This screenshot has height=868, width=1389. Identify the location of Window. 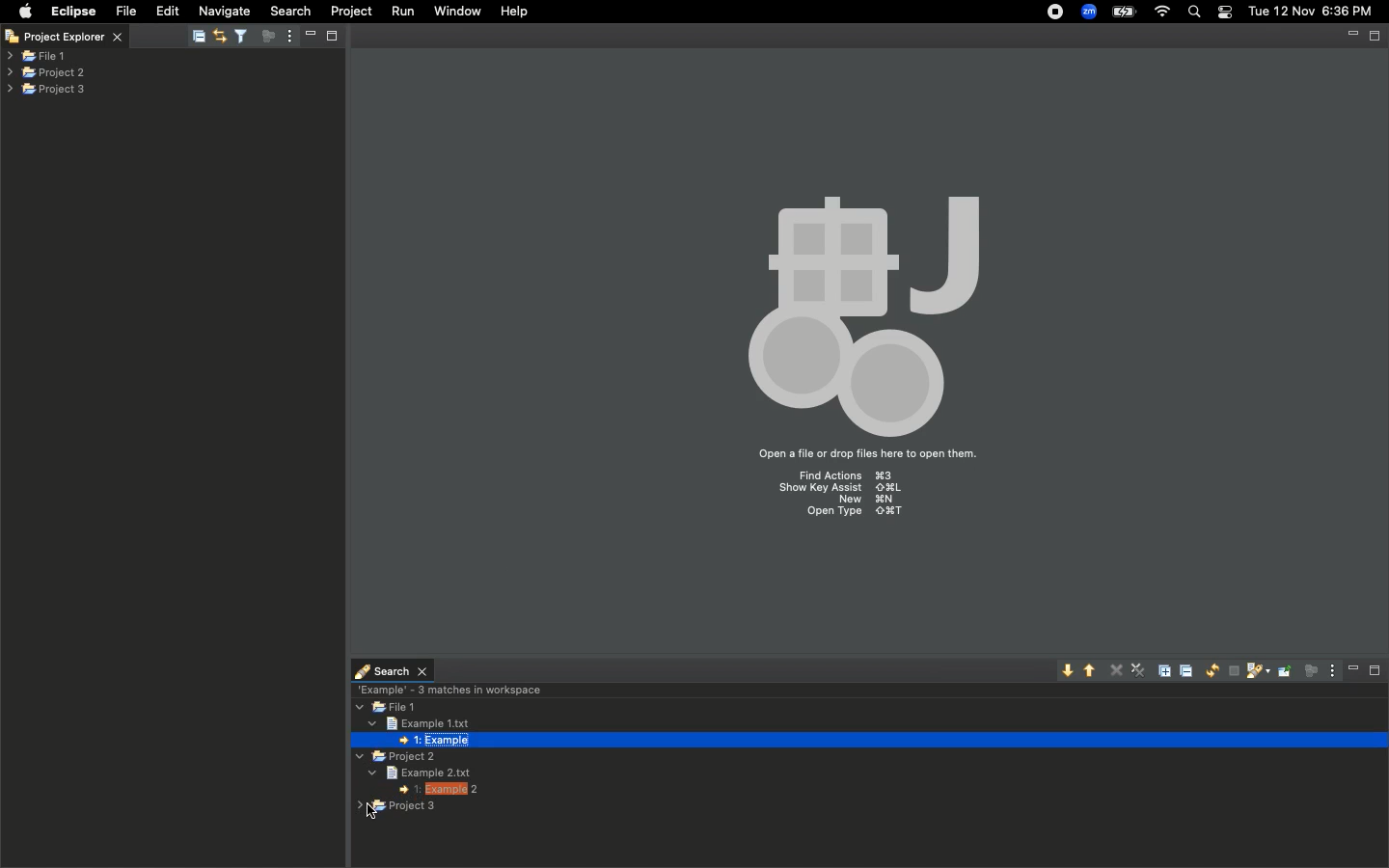
(453, 11).